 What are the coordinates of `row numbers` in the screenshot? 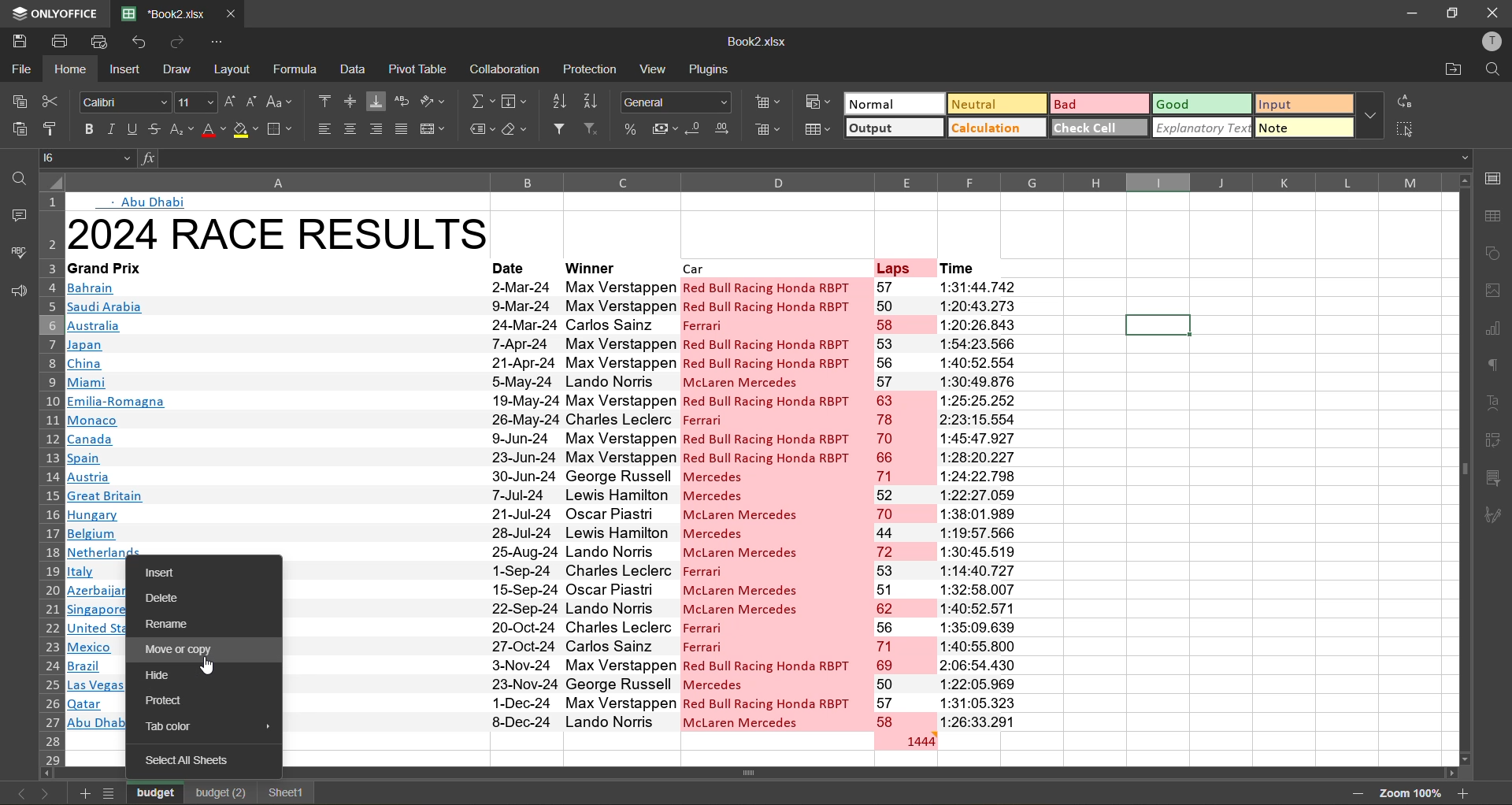 It's located at (49, 484).